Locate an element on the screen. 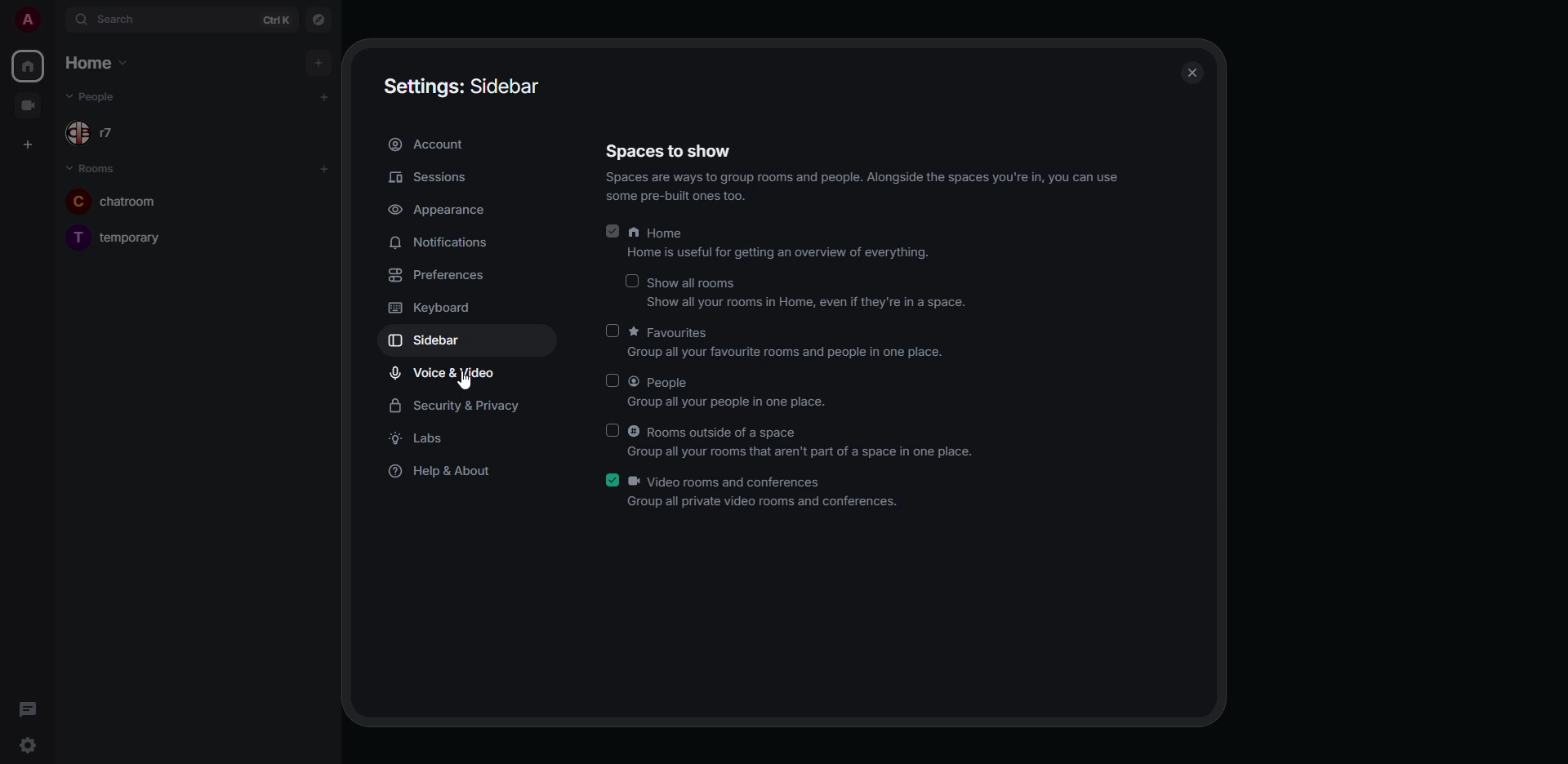 This screenshot has width=1568, height=764. voice & video is located at coordinates (446, 373).